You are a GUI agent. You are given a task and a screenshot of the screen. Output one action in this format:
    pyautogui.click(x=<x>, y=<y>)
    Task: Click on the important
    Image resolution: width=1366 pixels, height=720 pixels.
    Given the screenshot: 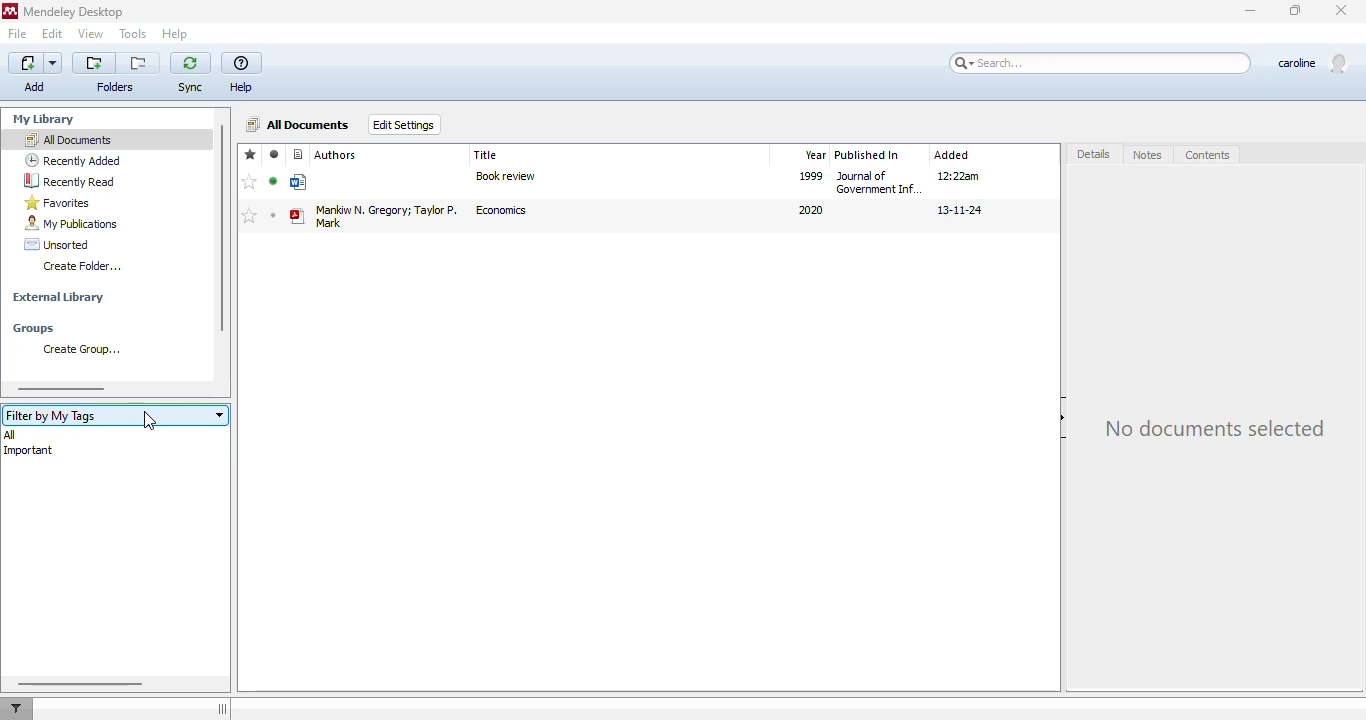 What is the action you would take?
    pyautogui.click(x=28, y=451)
    